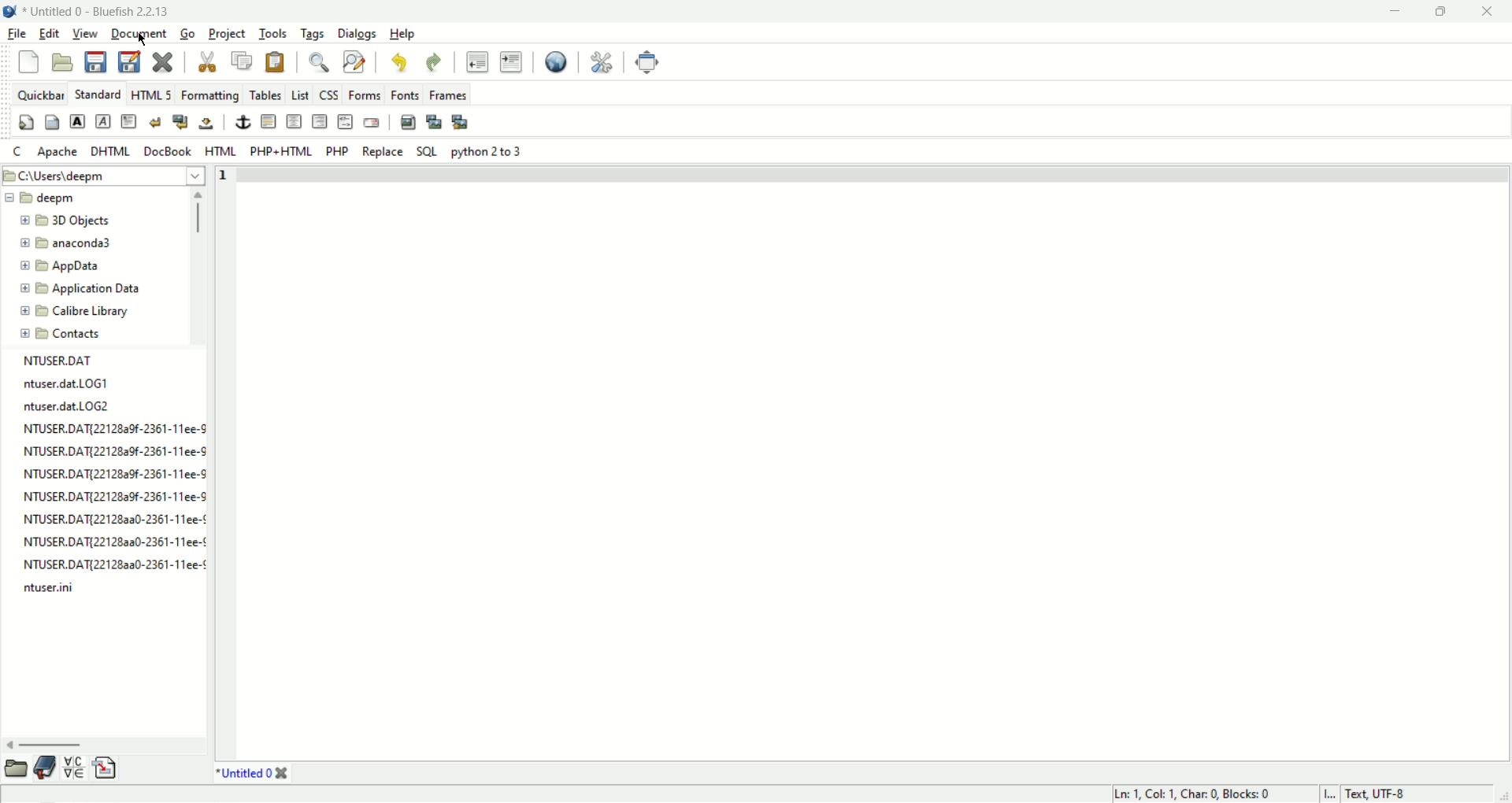 The width and height of the screenshot is (1512, 803). What do you see at coordinates (478, 63) in the screenshot?
I see `unindent` at bounding box center [478, 63].